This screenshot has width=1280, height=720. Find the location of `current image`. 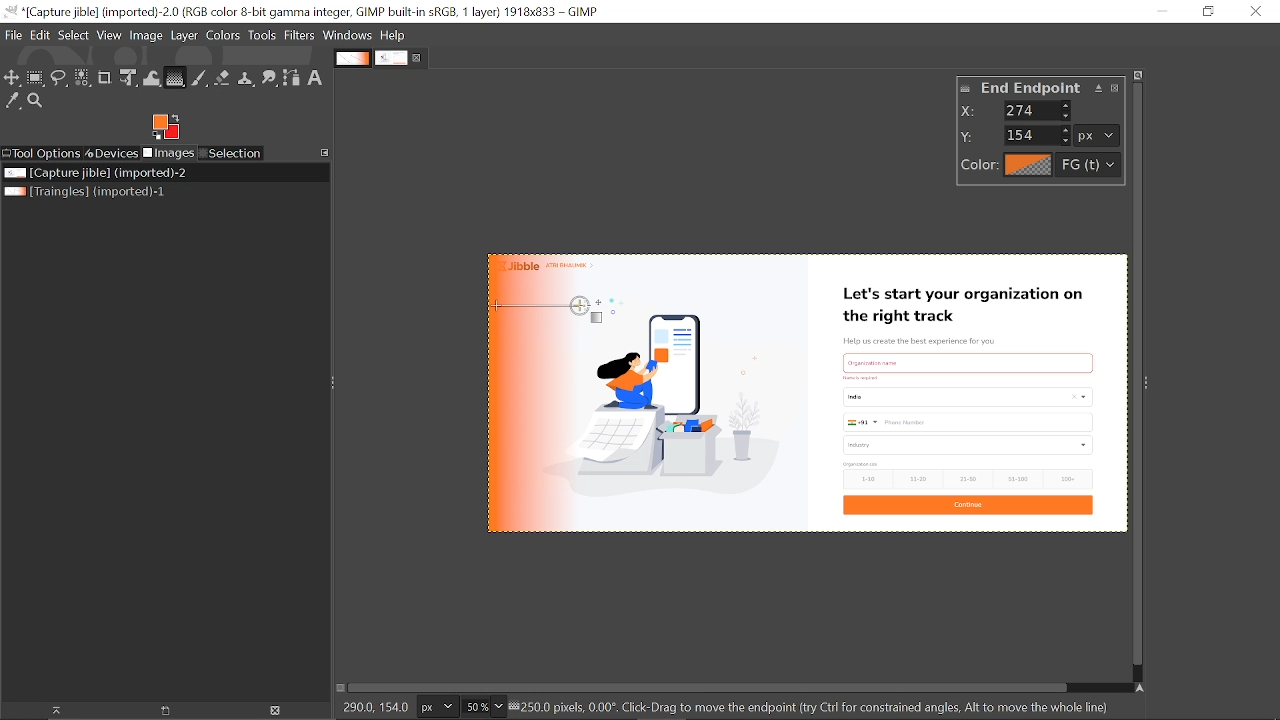

current image is located at coordinates (803, 394).